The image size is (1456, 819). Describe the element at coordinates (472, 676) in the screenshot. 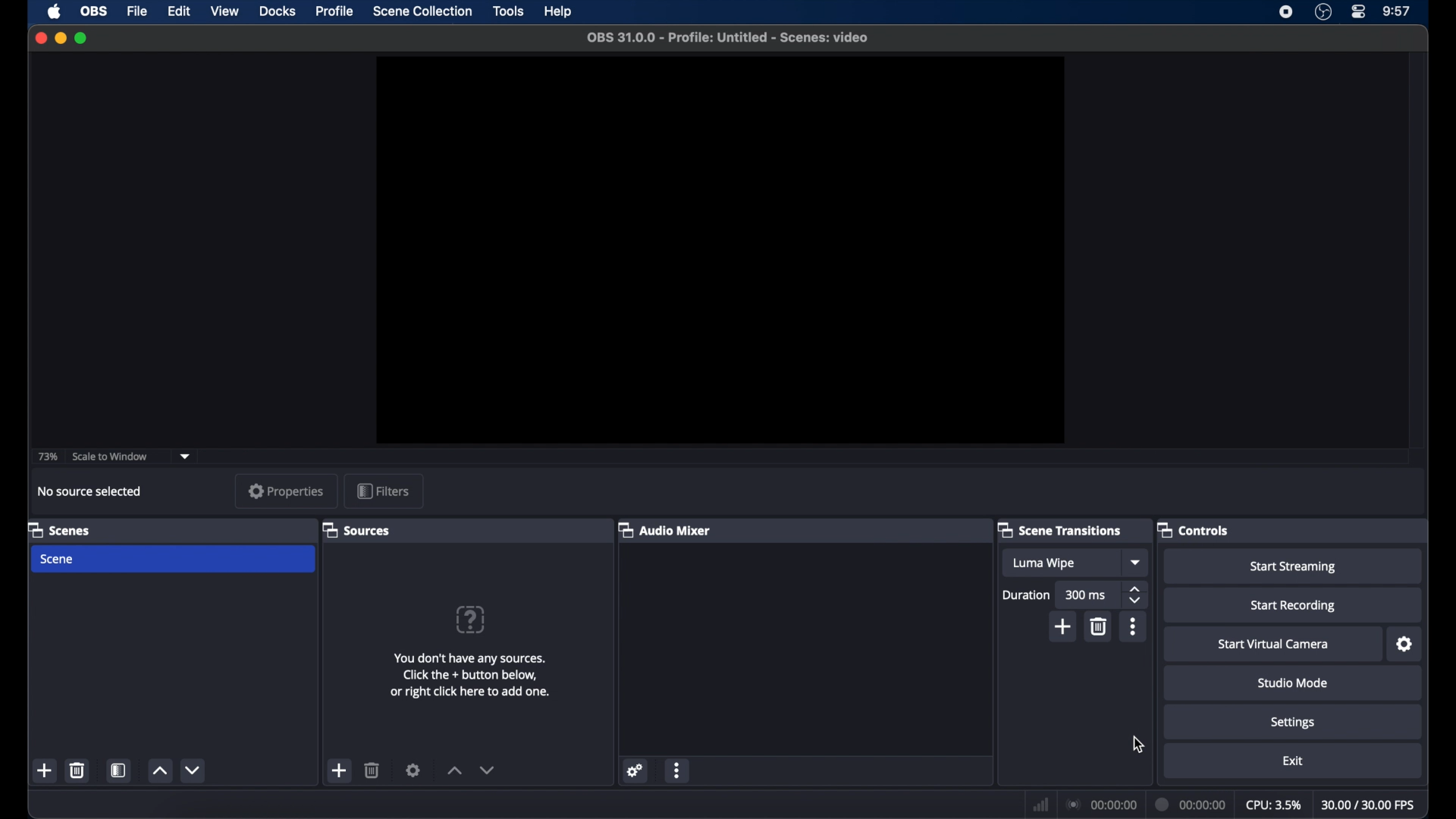

I see `add sources information` at that location.